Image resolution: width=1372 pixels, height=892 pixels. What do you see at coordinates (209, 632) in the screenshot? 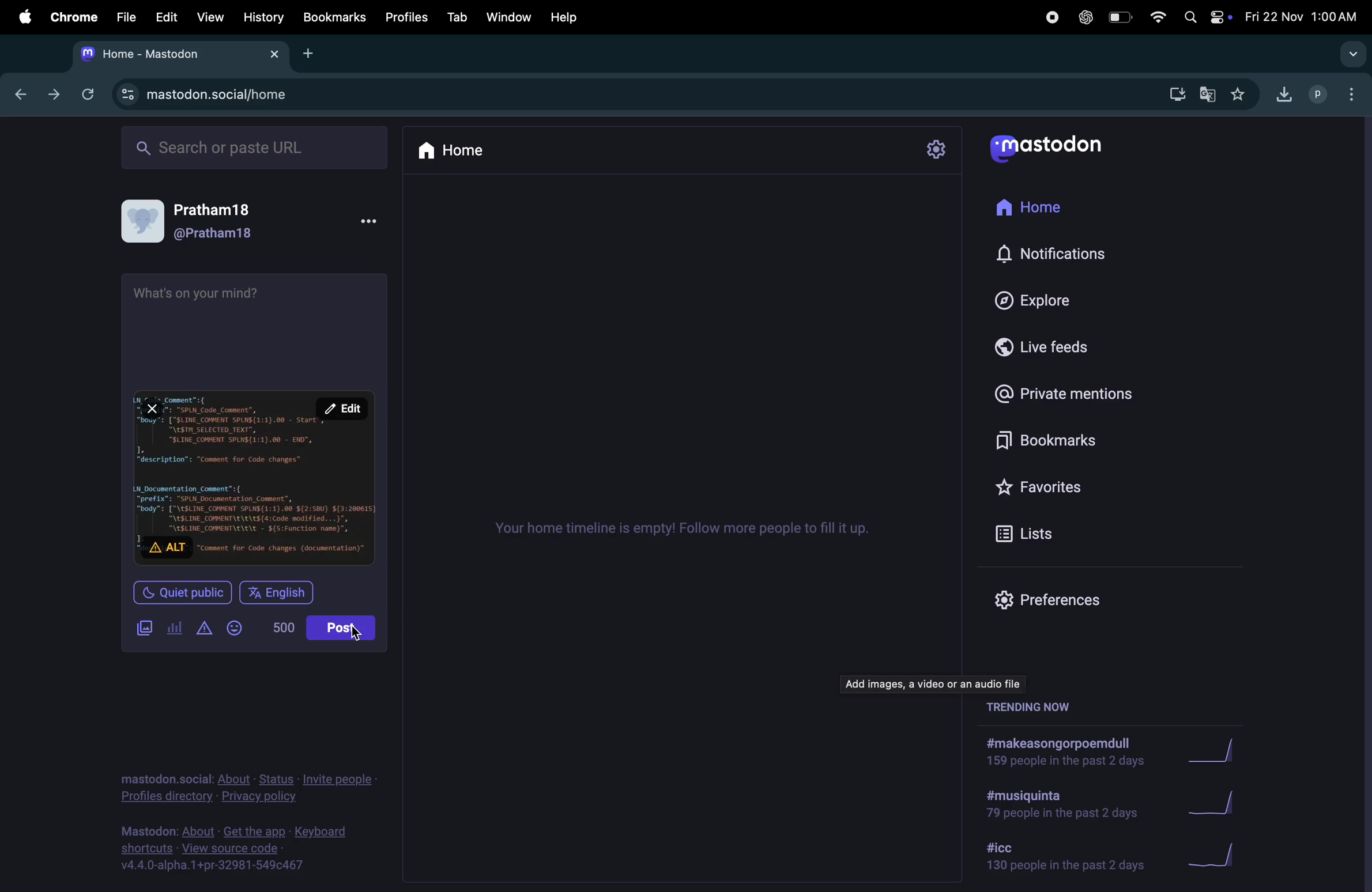
I see `content warning` at bounding box center [209, 632].